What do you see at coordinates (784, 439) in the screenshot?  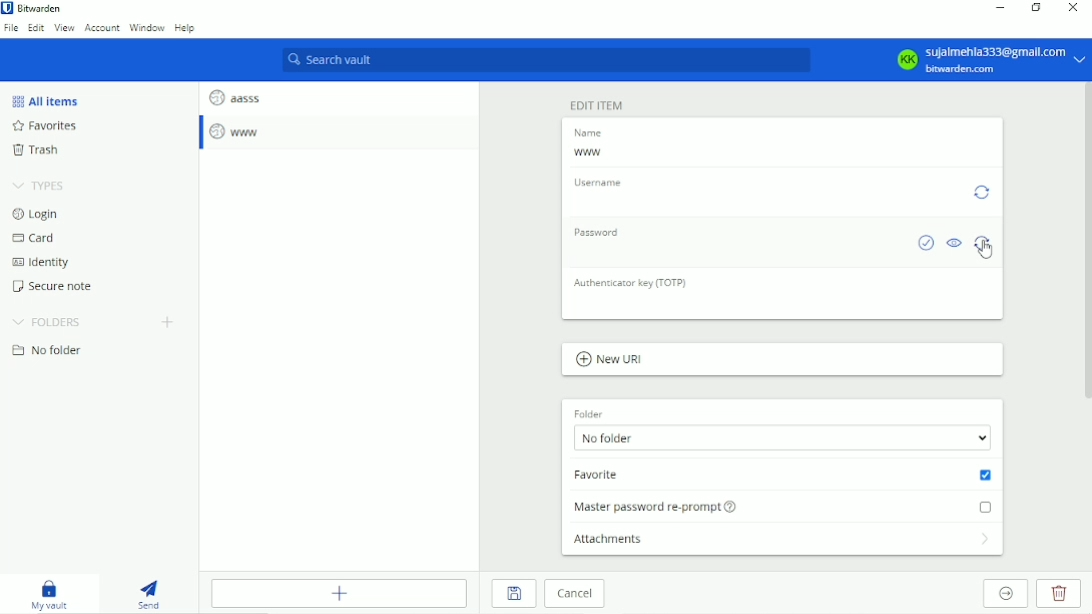 I see `No folder` at bounding box center [784, 439].